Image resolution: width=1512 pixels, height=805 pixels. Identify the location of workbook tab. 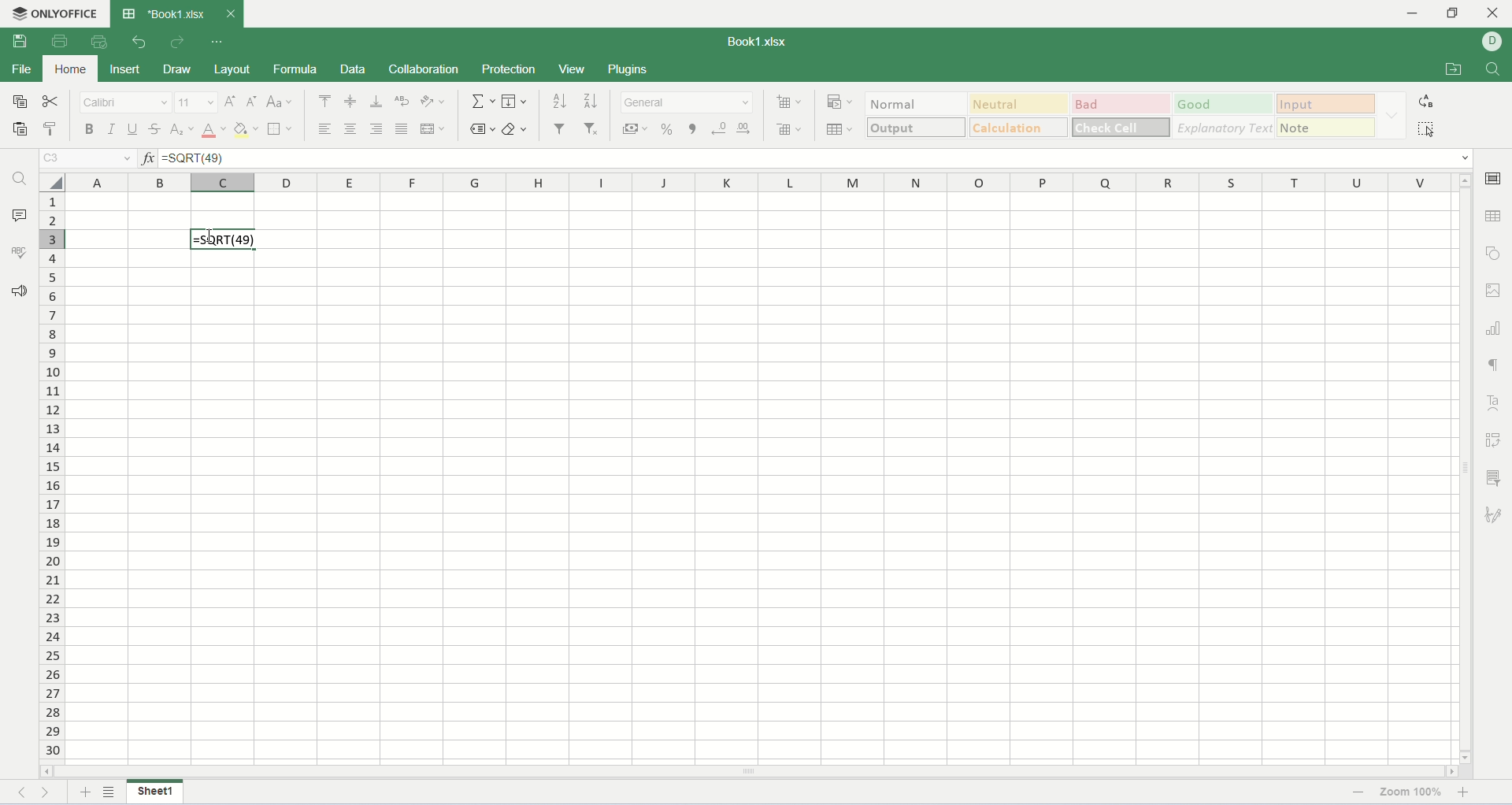
(166, 13).